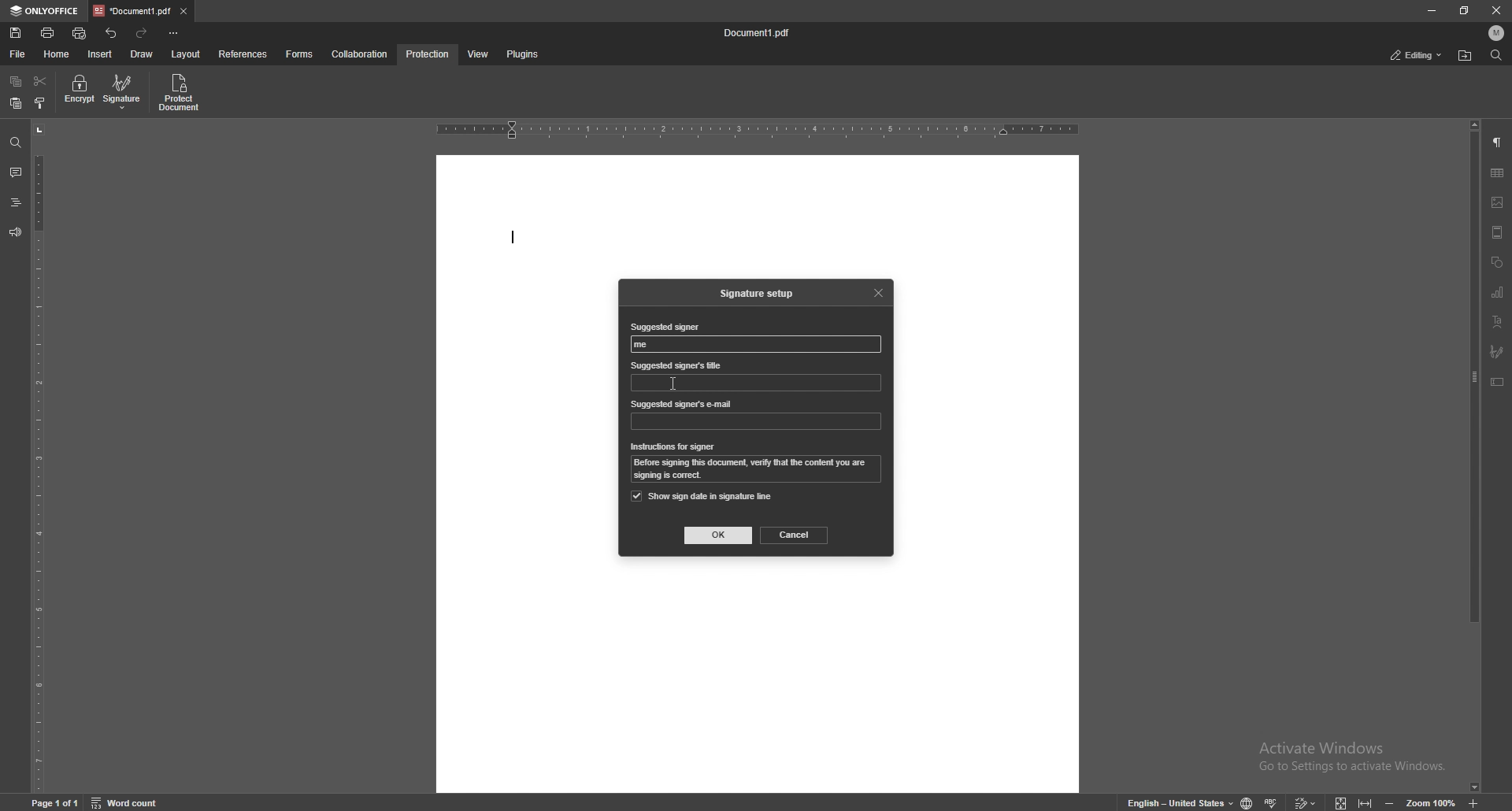  I want to click on vertical scale, so click(39, 457).